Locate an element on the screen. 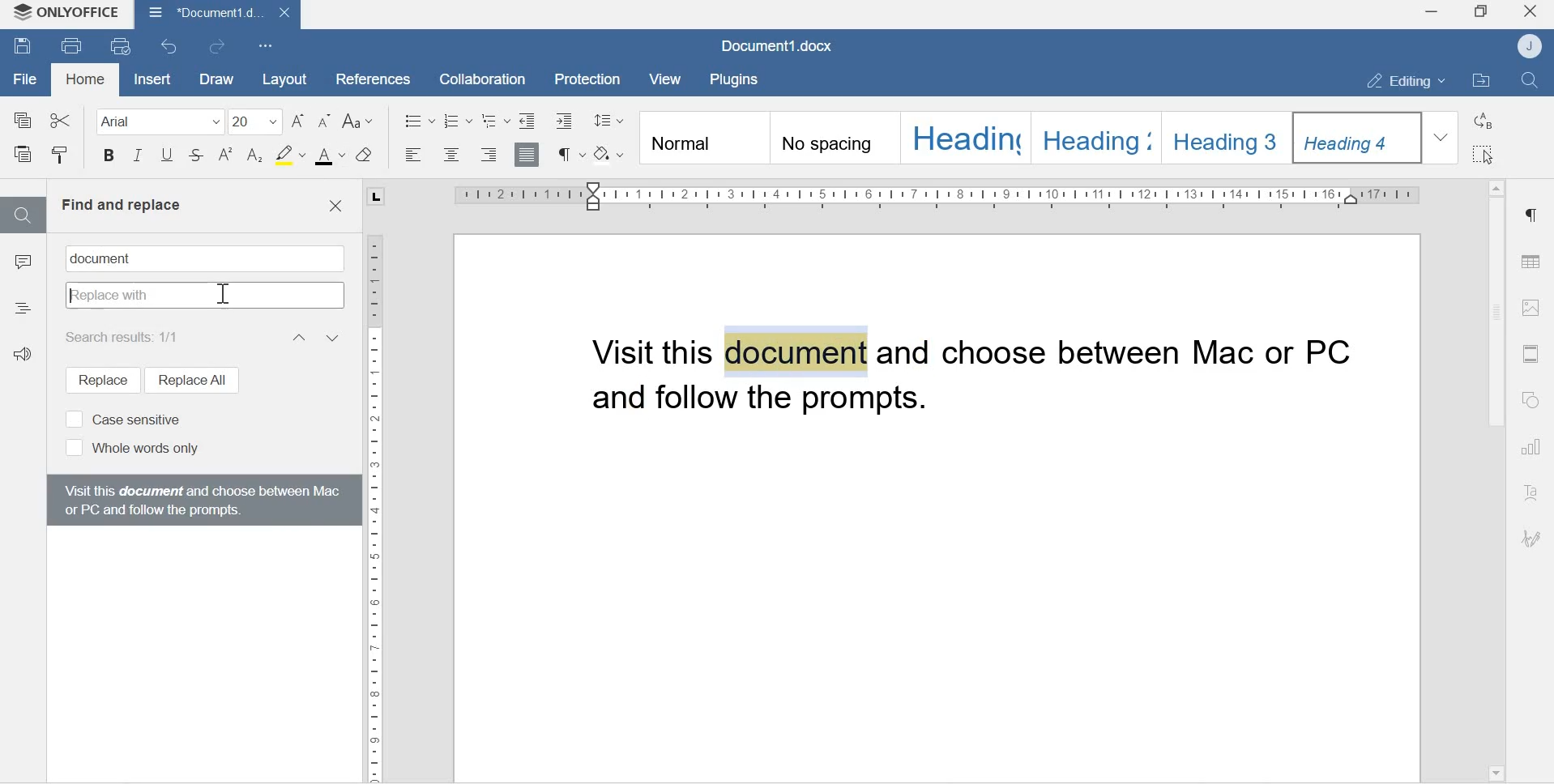 Image resolution: width=1554 pixels, height=784 pixels. Shapes is located at coordinates (1534, 401).